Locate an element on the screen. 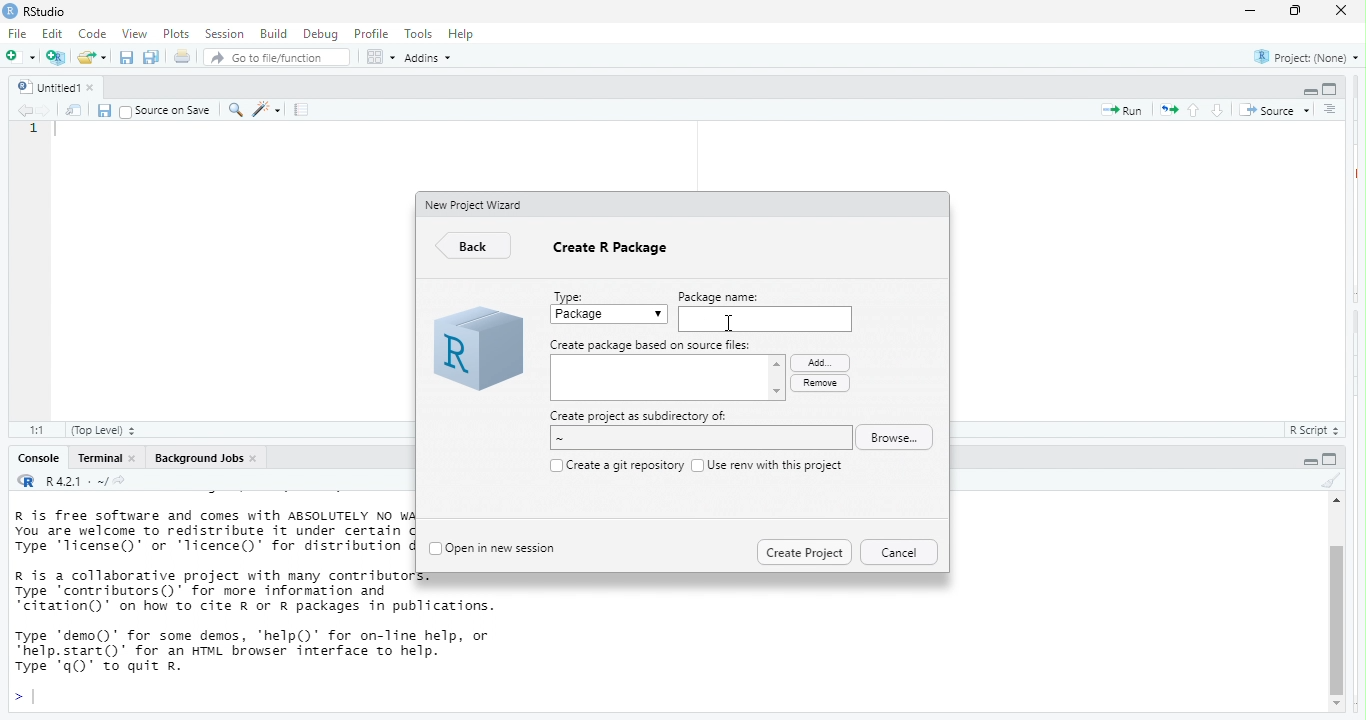 The width and height of the screenshot is (1366, 720). code is located at coordinates (94, 35).